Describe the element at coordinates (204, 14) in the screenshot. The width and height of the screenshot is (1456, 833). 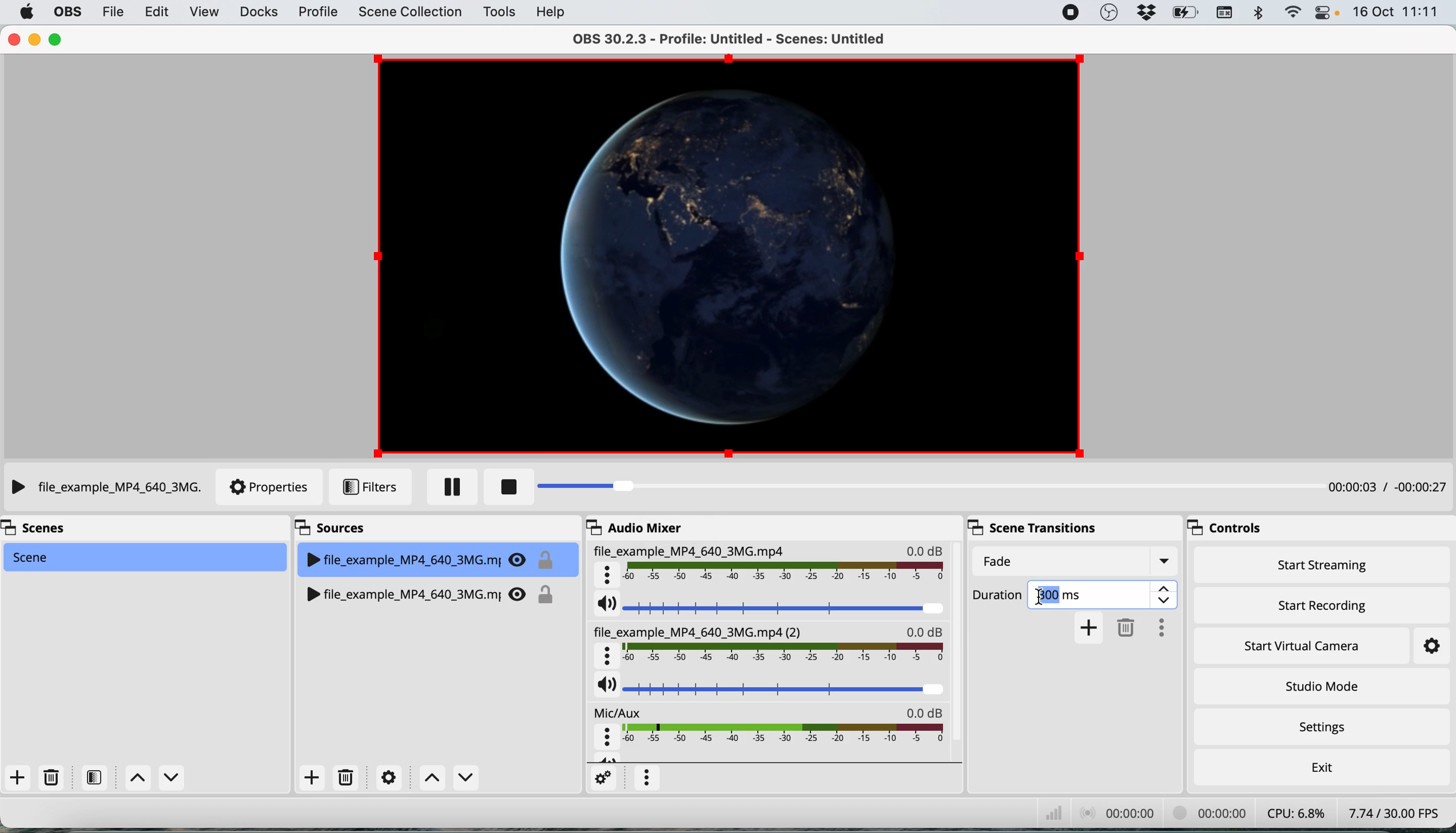
I see `view` at that location.